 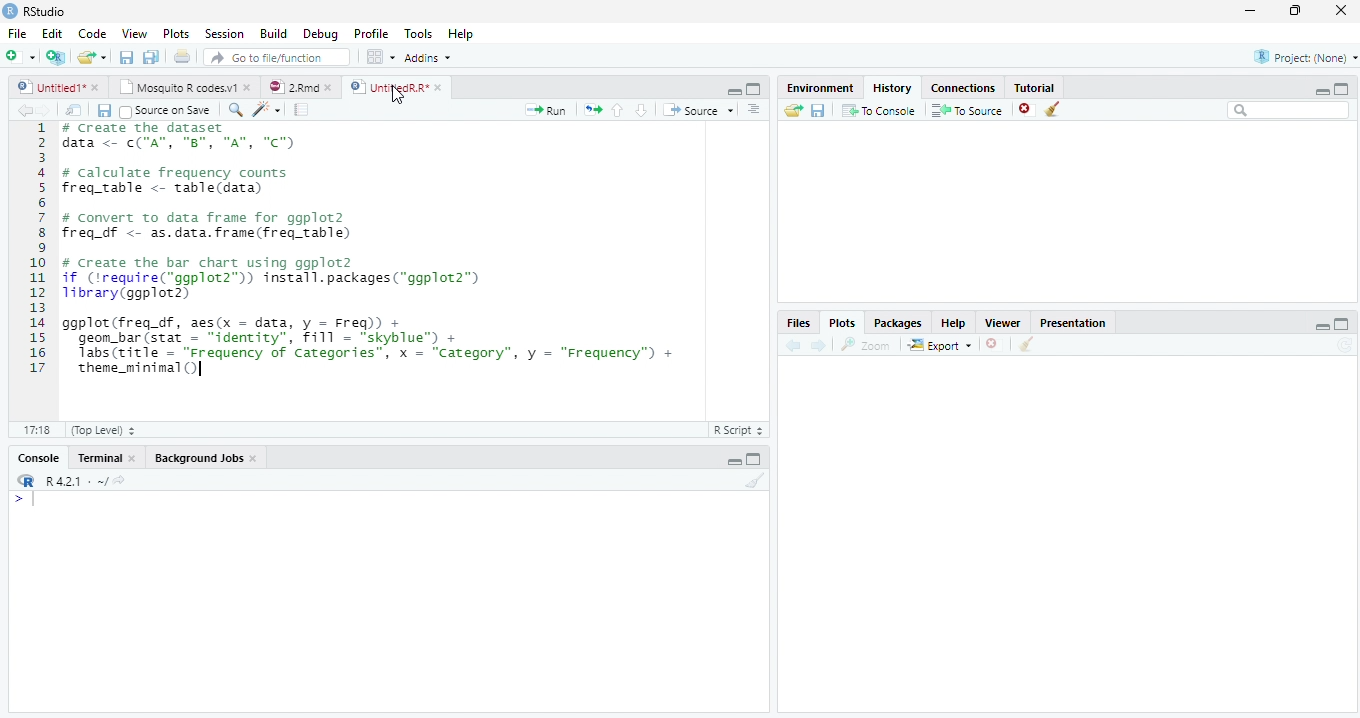 What do you see at coordinates (959, 324) in the screenshot?
I see `Help ` at bounding box center [959, 324].